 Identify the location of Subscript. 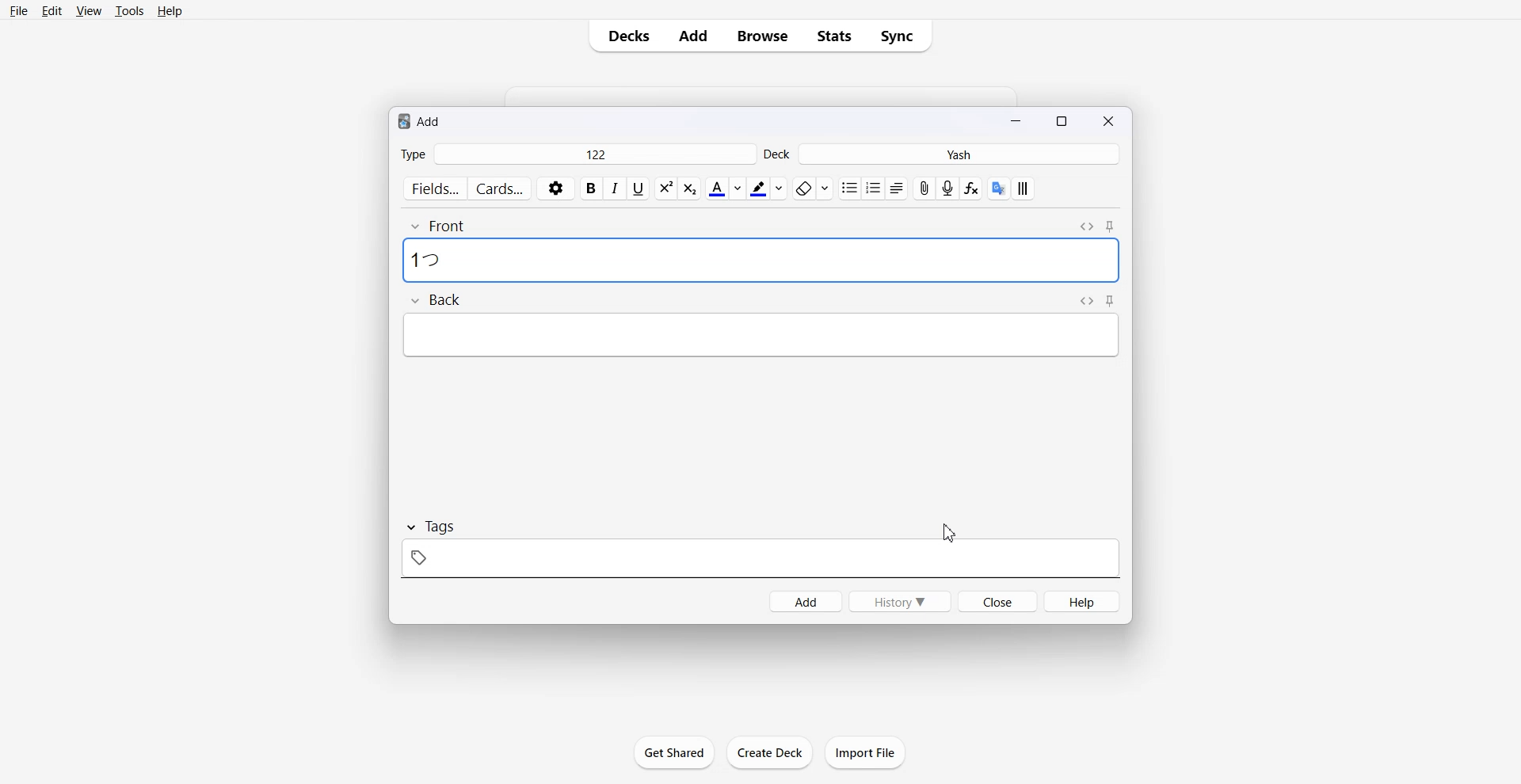
(665, 188).